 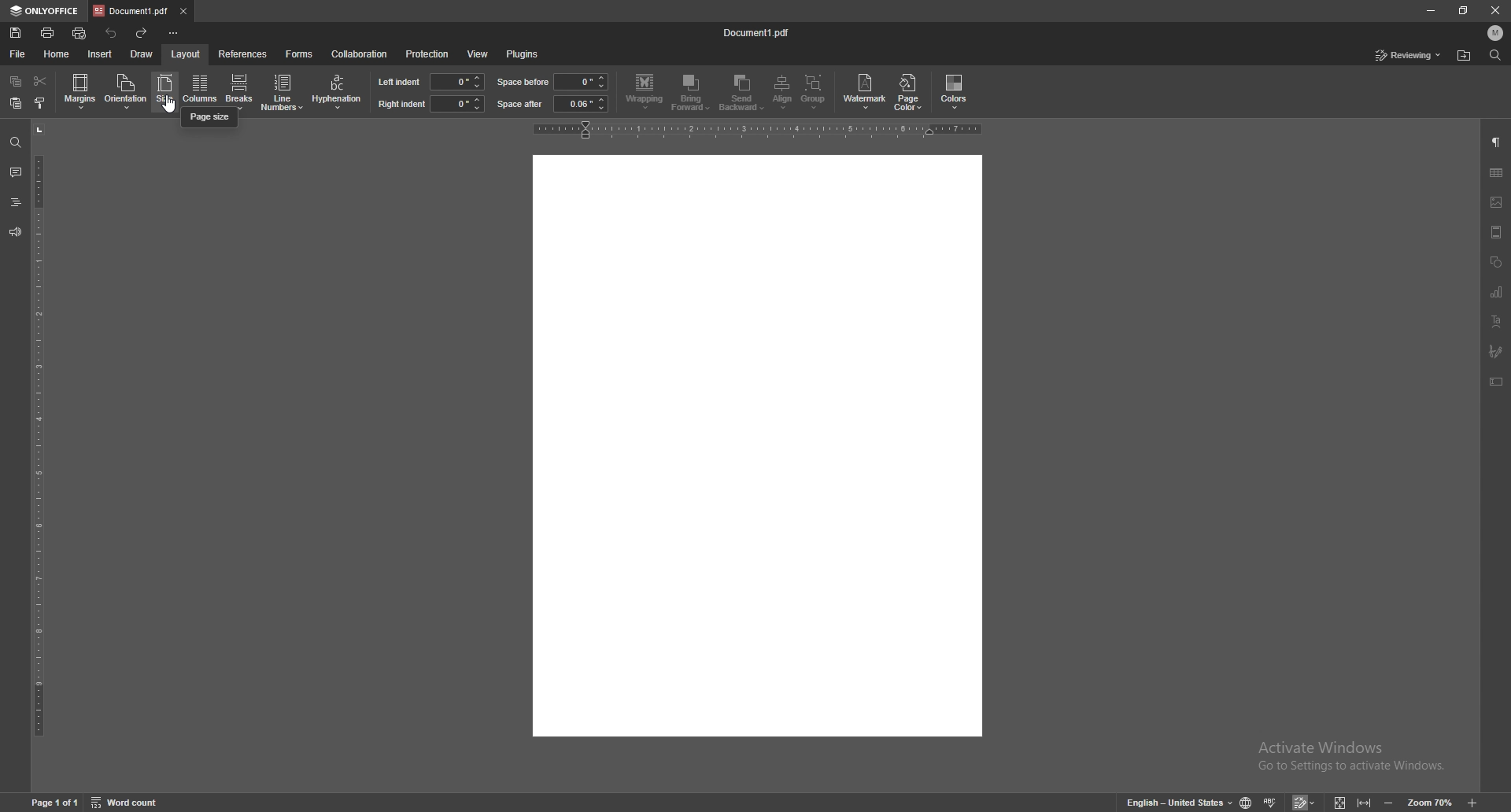 I want to click on horizontal scale, so click(x=759, y=129).